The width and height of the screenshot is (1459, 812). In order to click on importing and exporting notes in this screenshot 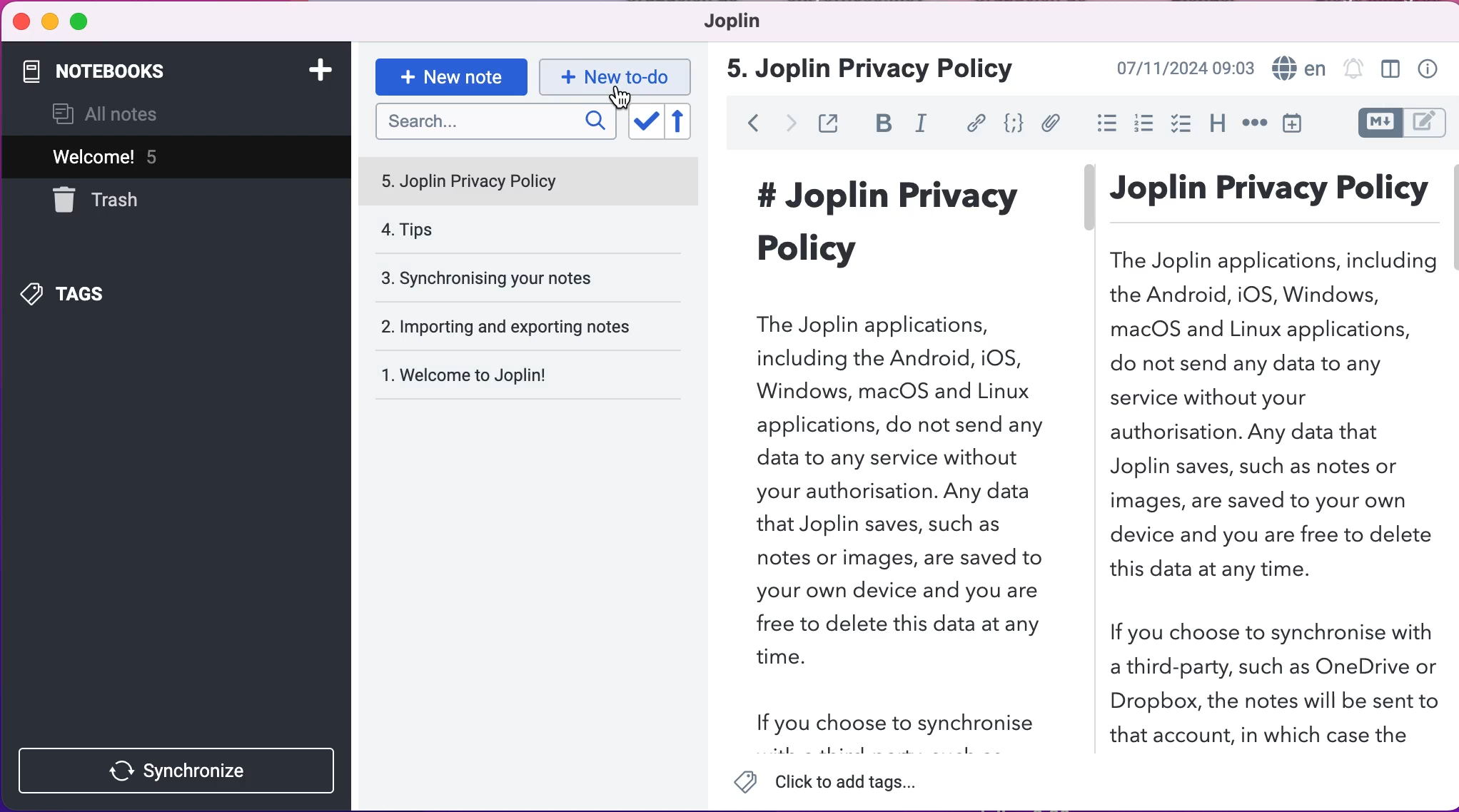, I will do `click(536, 325)`.